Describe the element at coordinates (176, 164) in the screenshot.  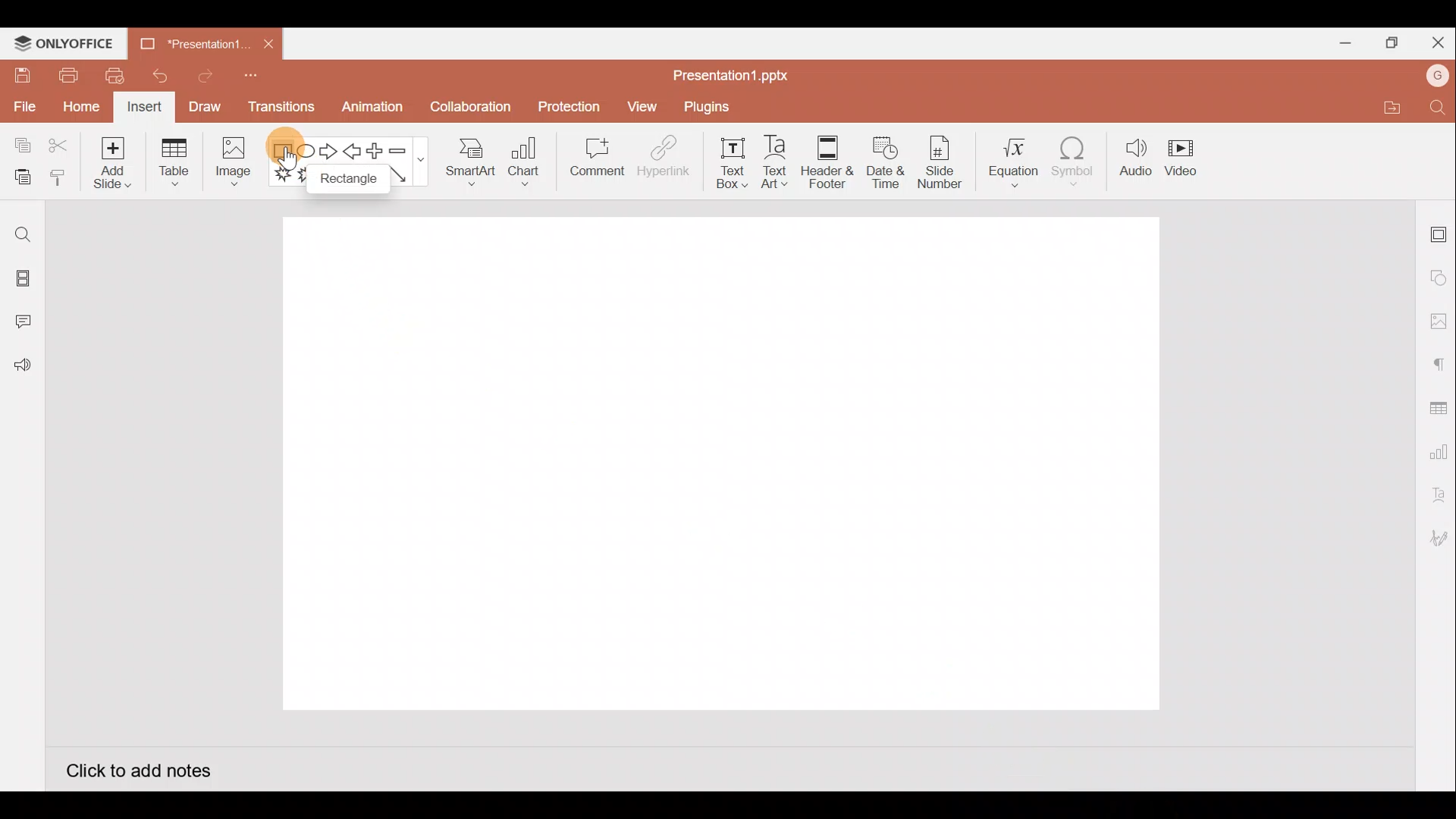
I see `Table` at that location.